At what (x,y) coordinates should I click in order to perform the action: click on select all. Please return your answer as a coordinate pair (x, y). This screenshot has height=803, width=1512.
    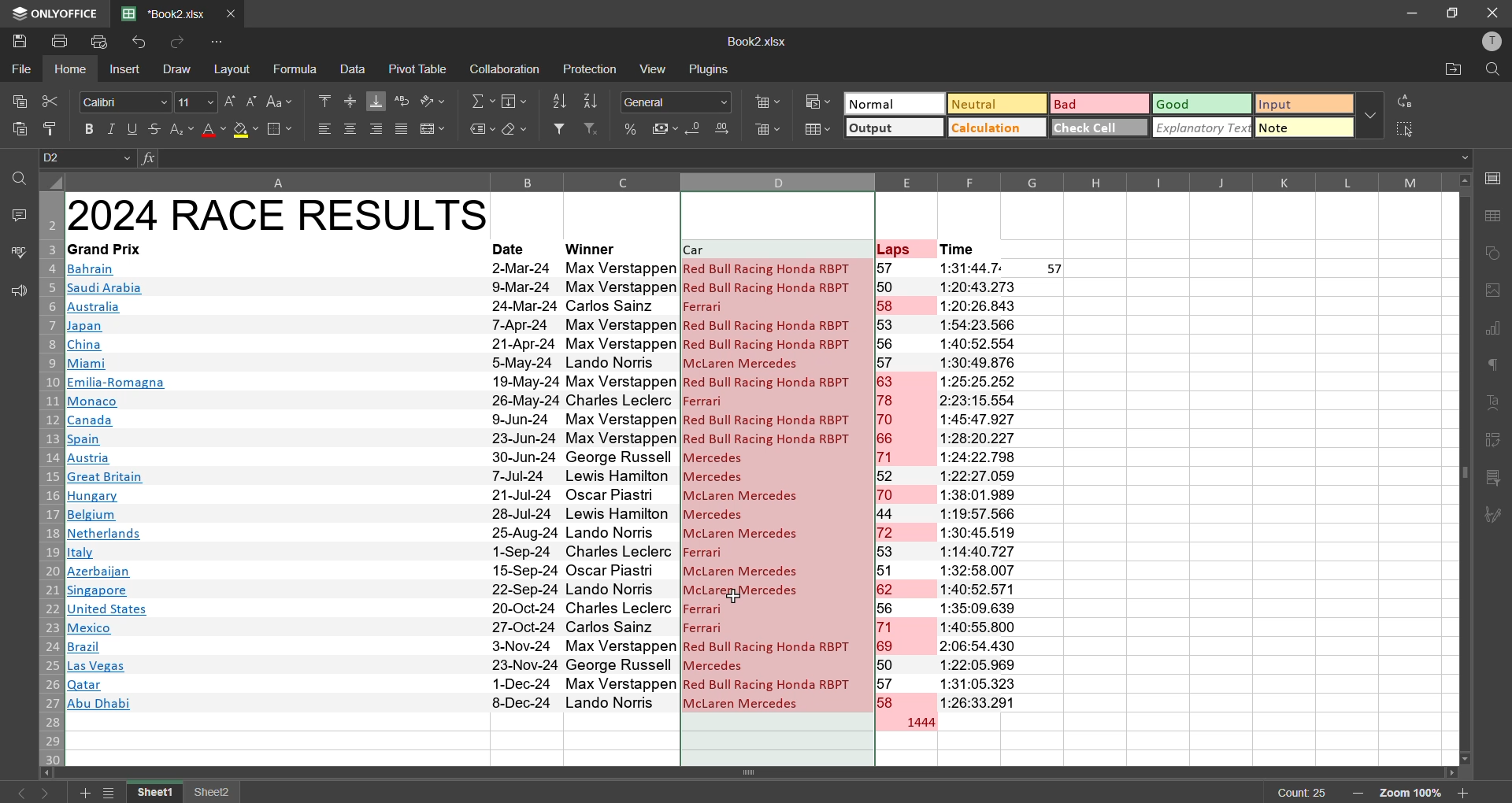
    Looking at the image, I should click on (1406, 128).